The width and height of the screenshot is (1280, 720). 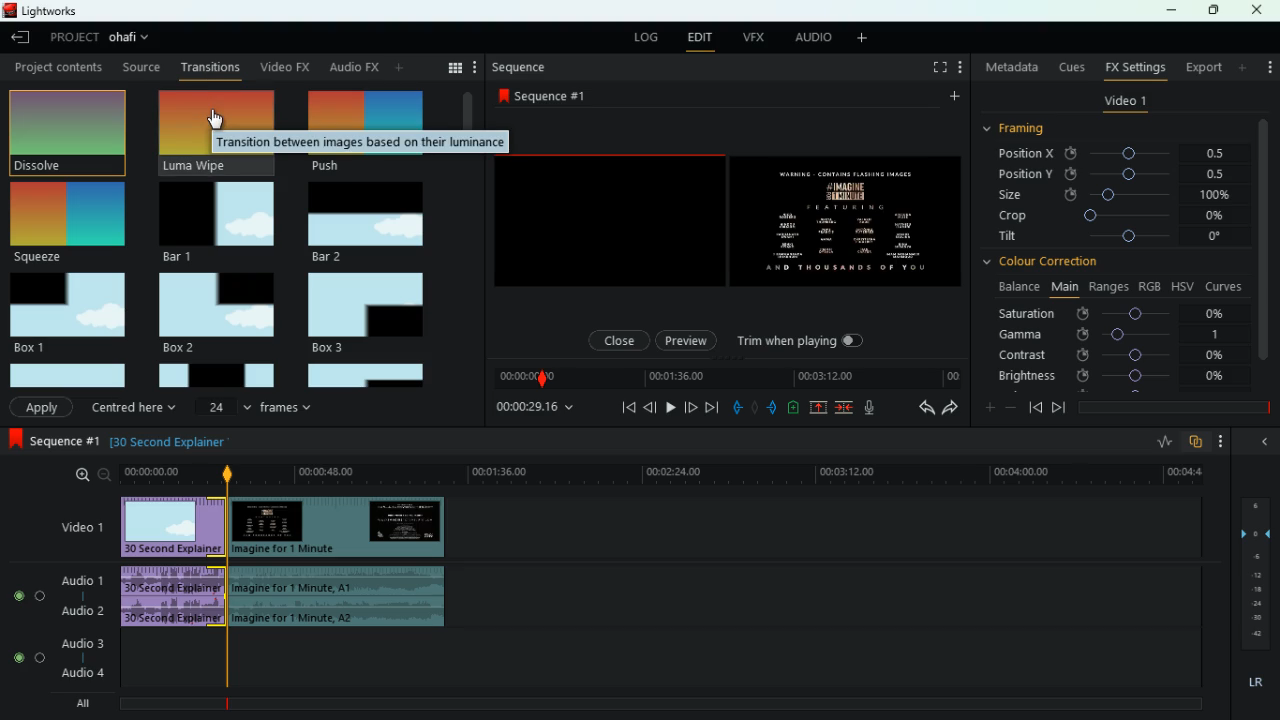 What do you see at coordinates (57, 66) in the screenshot?
I see `Project content` at bounding box center [57, 66].